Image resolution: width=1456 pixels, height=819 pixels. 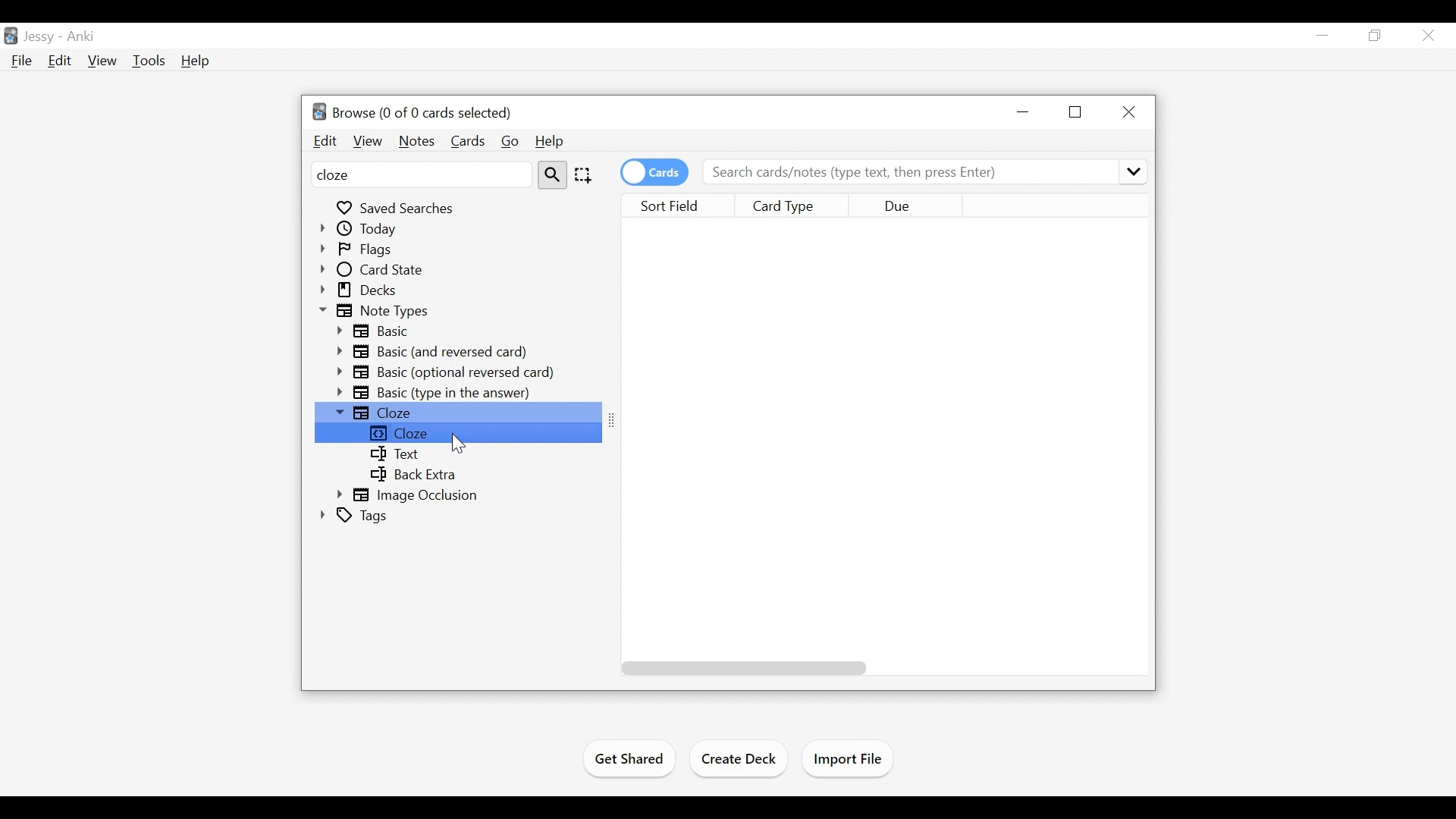 What do you see at coordinates (683, 206) in the screenshot?
I see `Sort Fields` at bounding box center [683, 206].